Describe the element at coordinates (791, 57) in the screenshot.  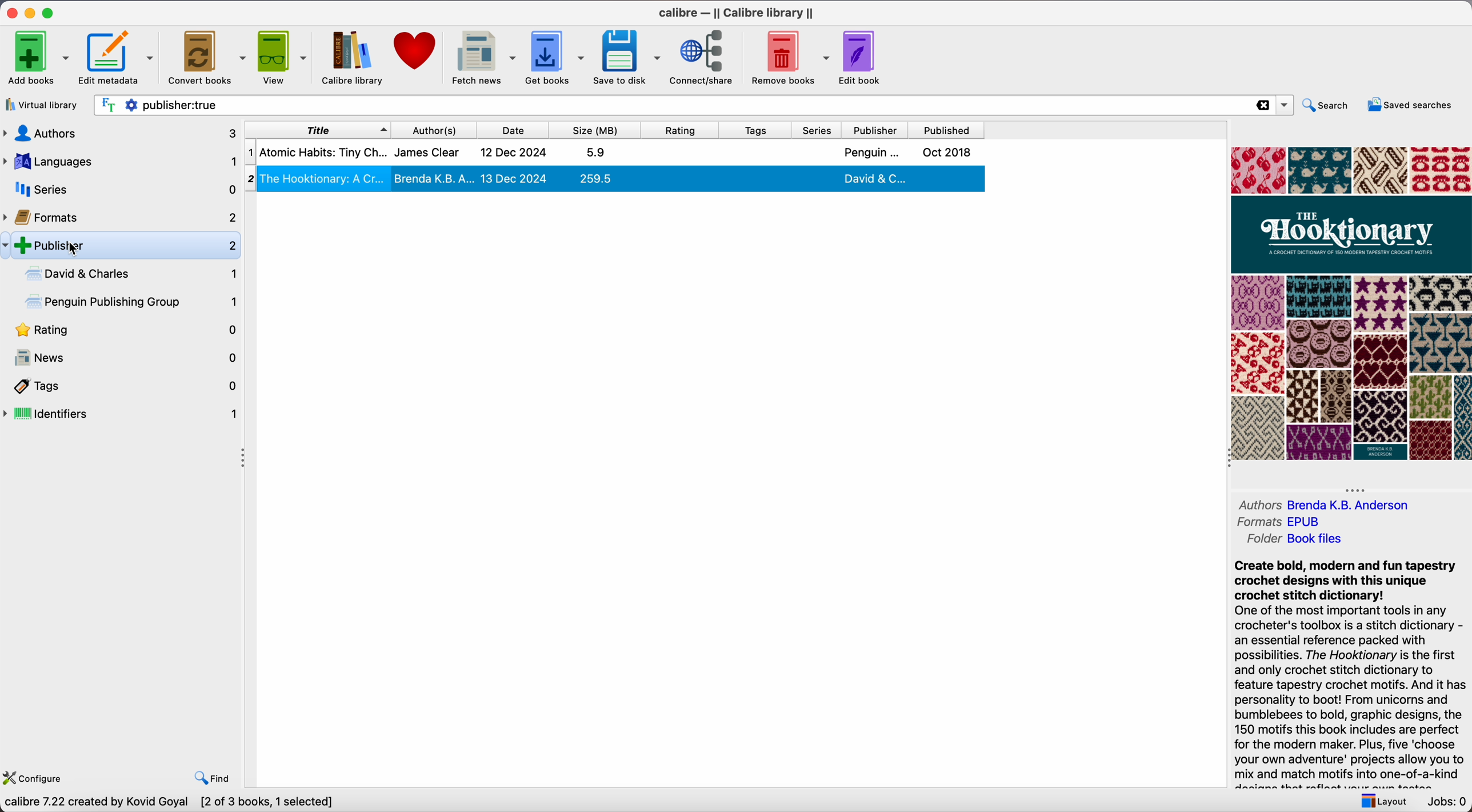
I see `remove books` at that location.